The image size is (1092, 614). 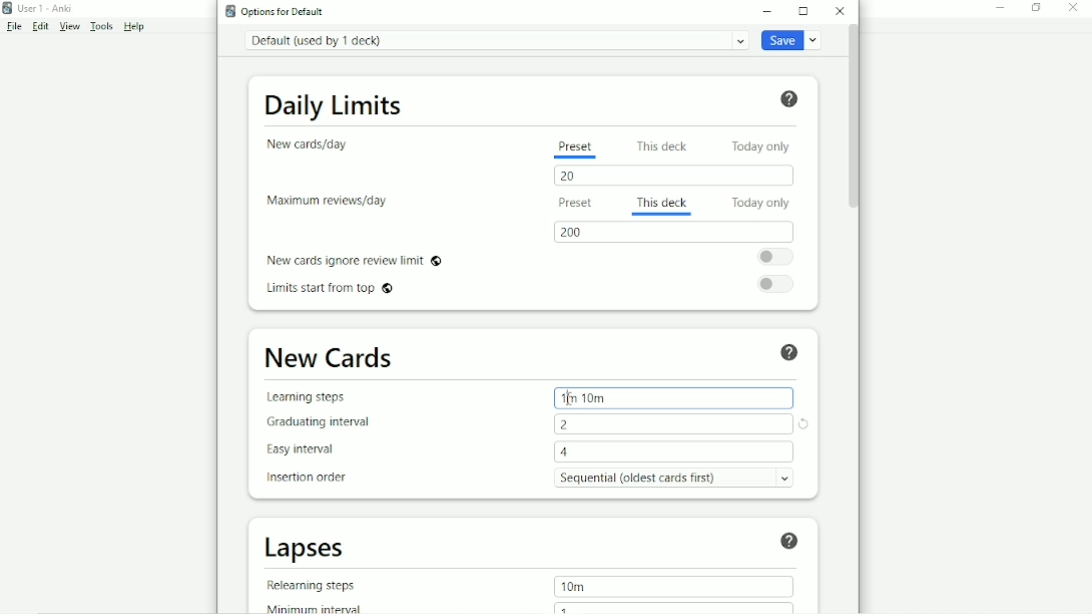 I want to click on New cards ignore review limit, so click(x=356, y=260).